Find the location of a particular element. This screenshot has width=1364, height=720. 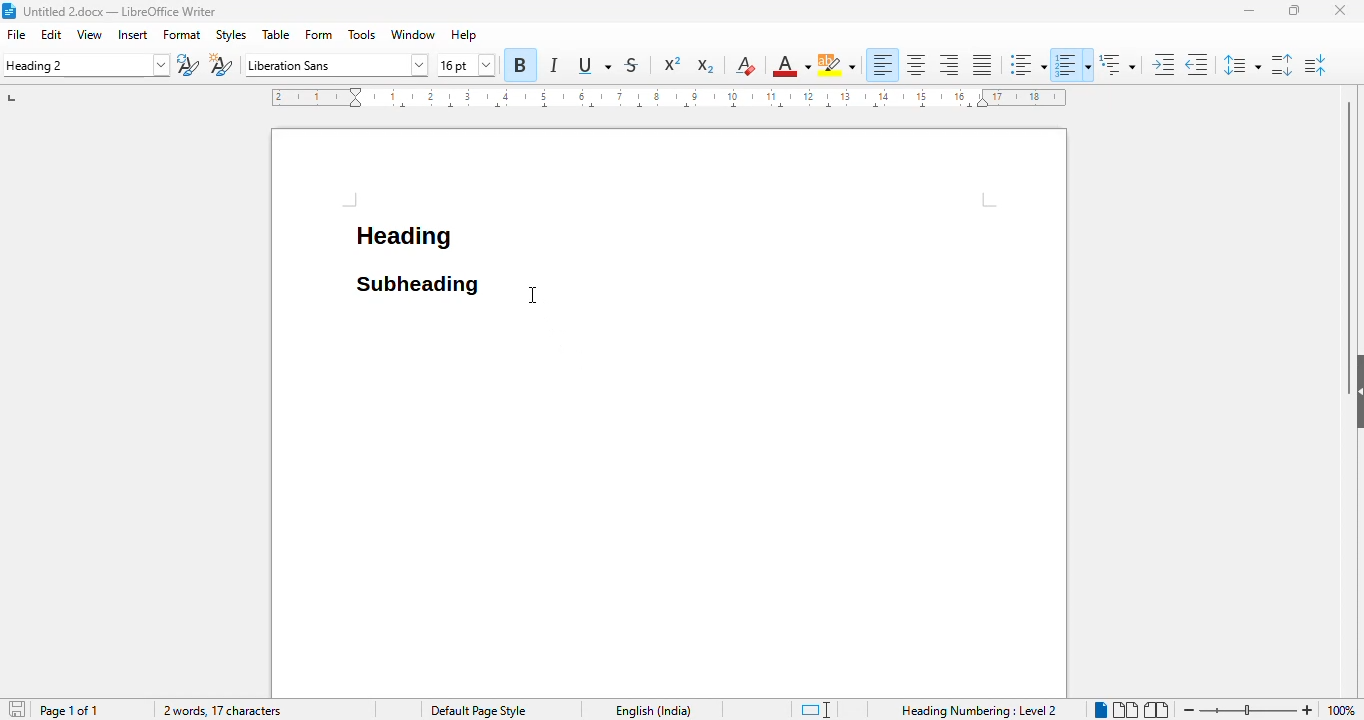

vertical scroll bar is located at coordinates (1352, 218).